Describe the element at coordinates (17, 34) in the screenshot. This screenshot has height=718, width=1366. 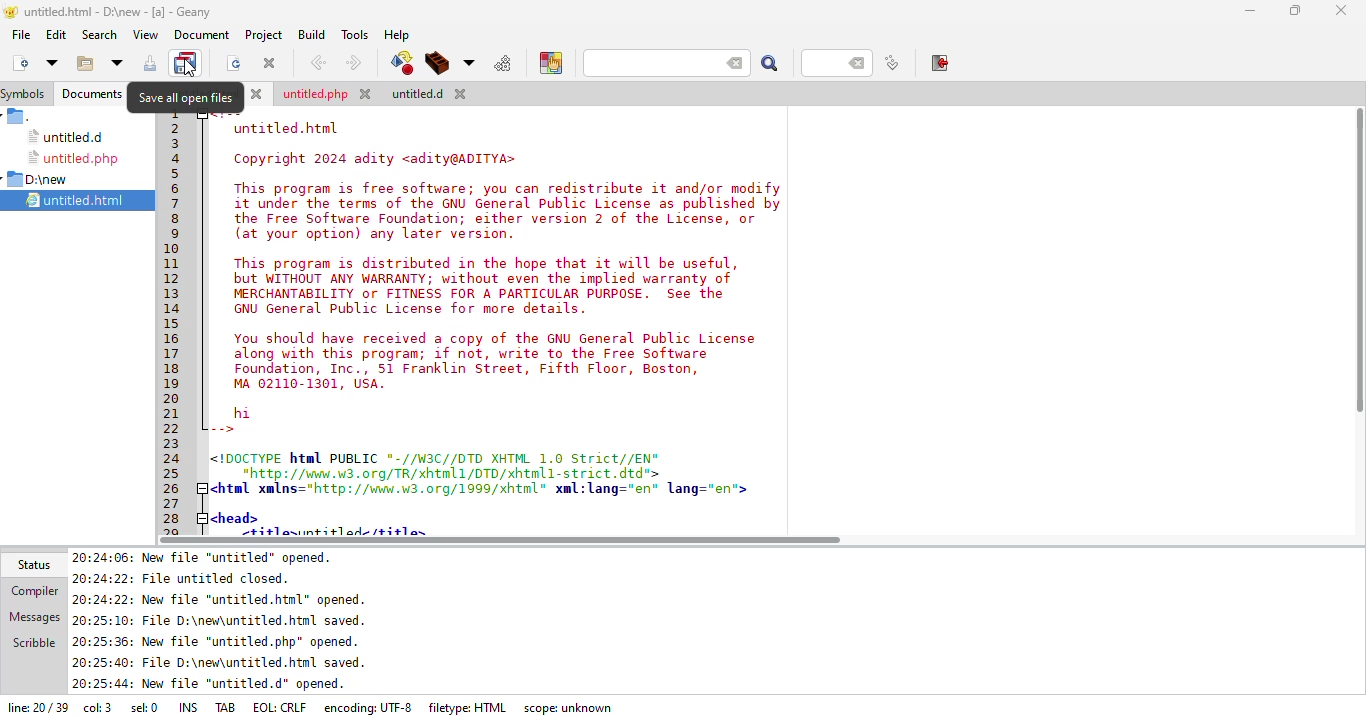
I see `file` at that location.